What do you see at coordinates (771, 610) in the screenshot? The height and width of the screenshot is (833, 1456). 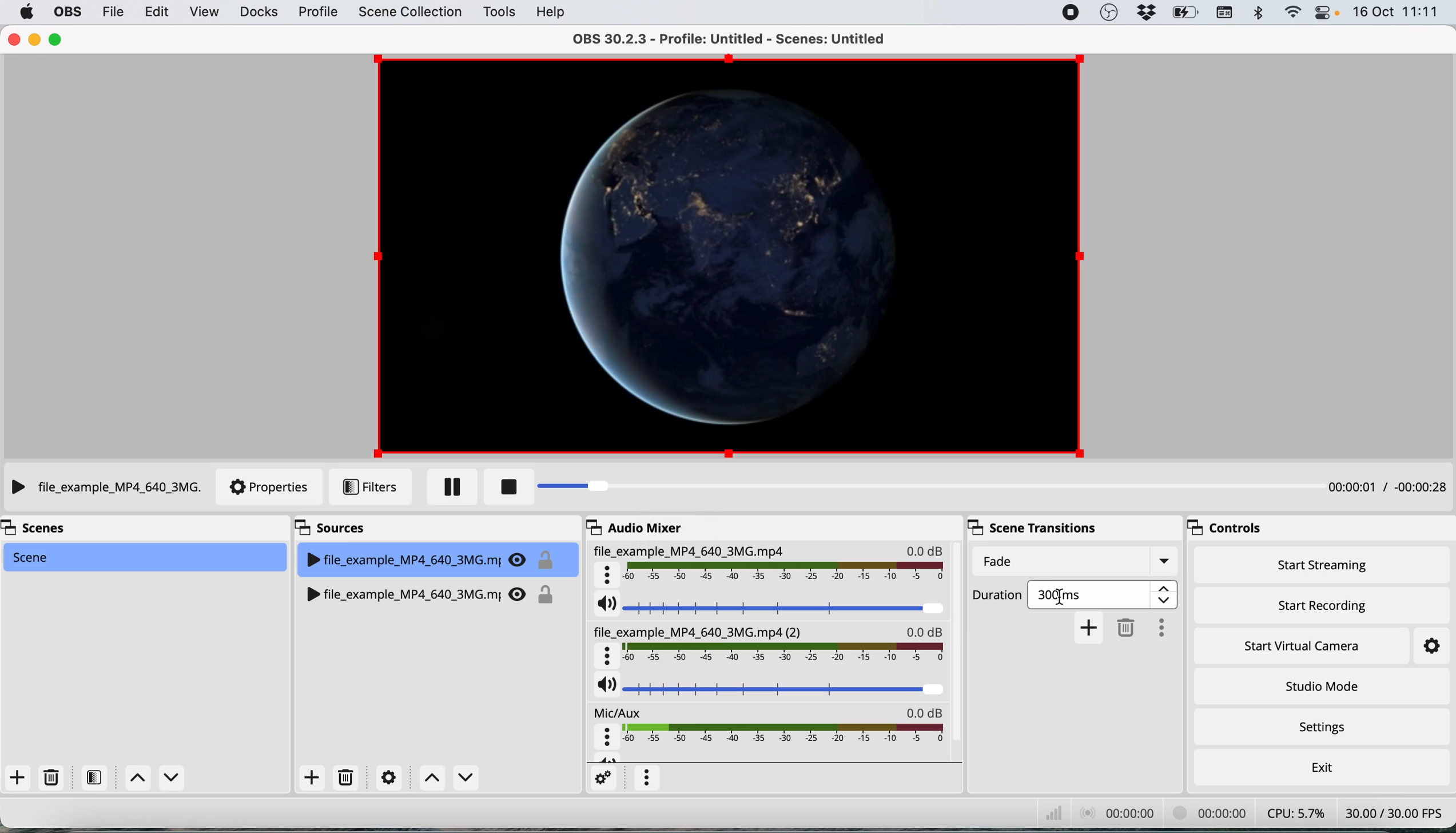 I see `current source audio volume` at bounding box center [771, 610].